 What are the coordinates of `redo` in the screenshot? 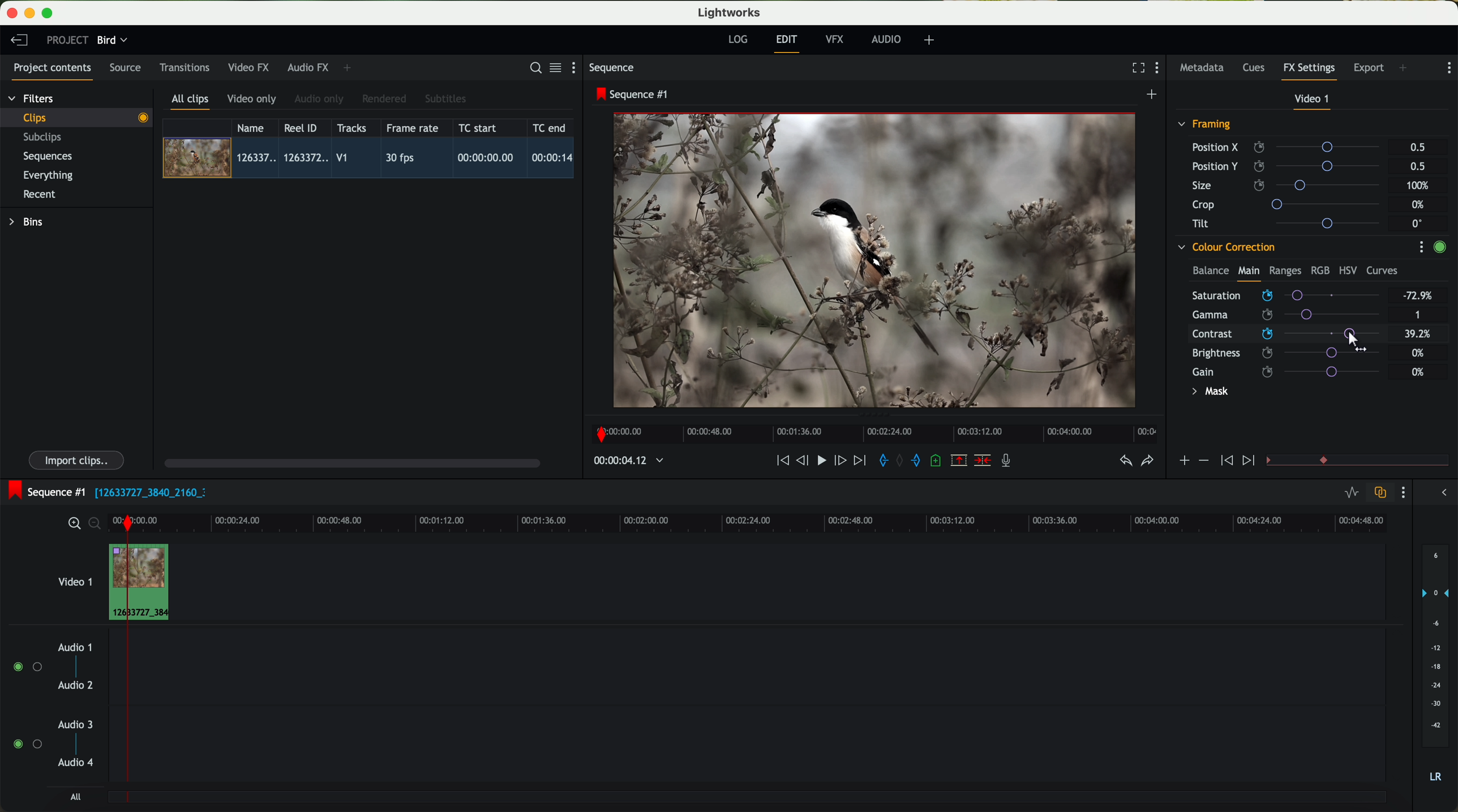 It's located at (1147, 462).